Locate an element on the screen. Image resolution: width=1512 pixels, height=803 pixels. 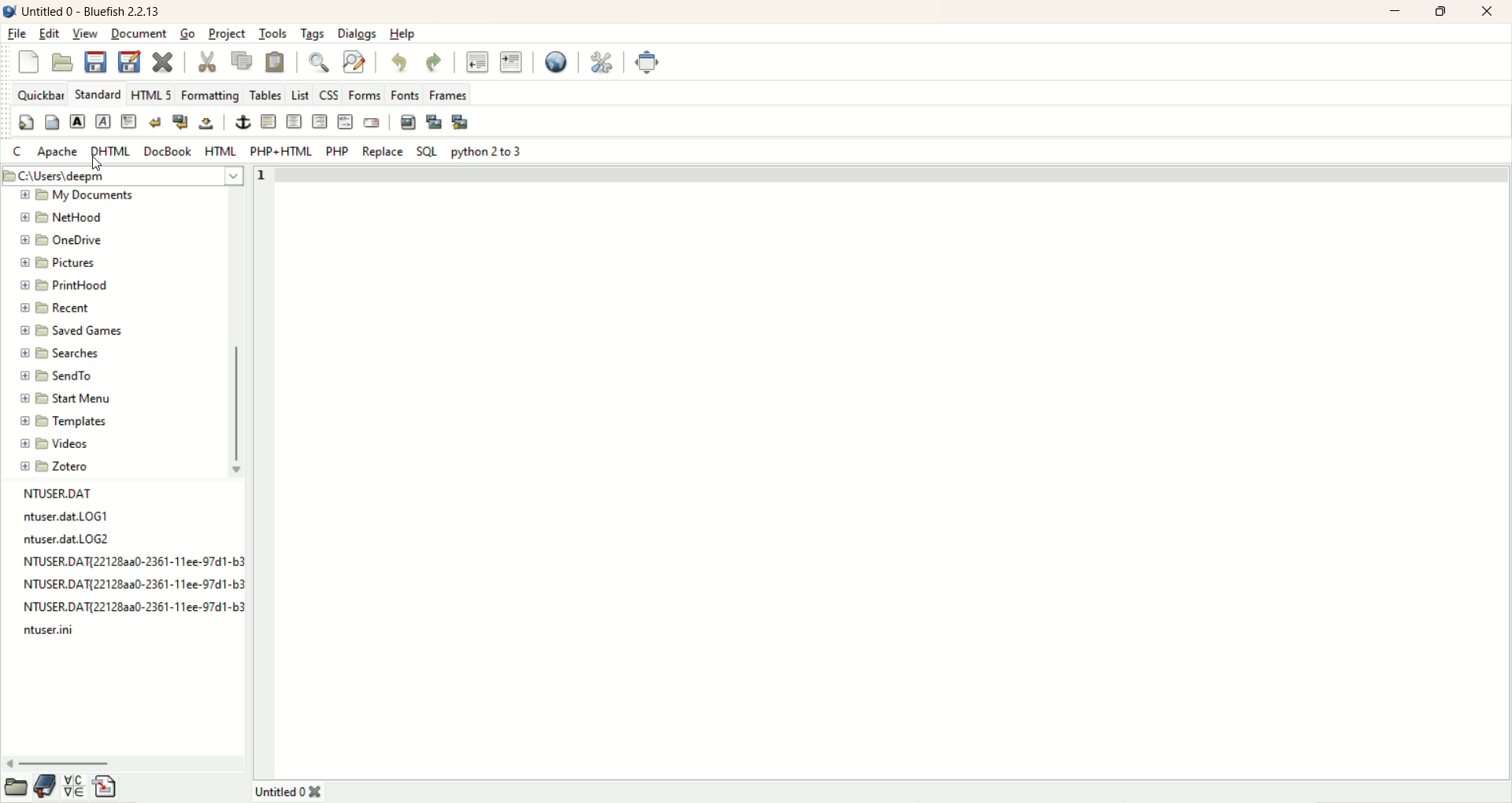
vertical scroll bar is located at coordinates (235, 335).